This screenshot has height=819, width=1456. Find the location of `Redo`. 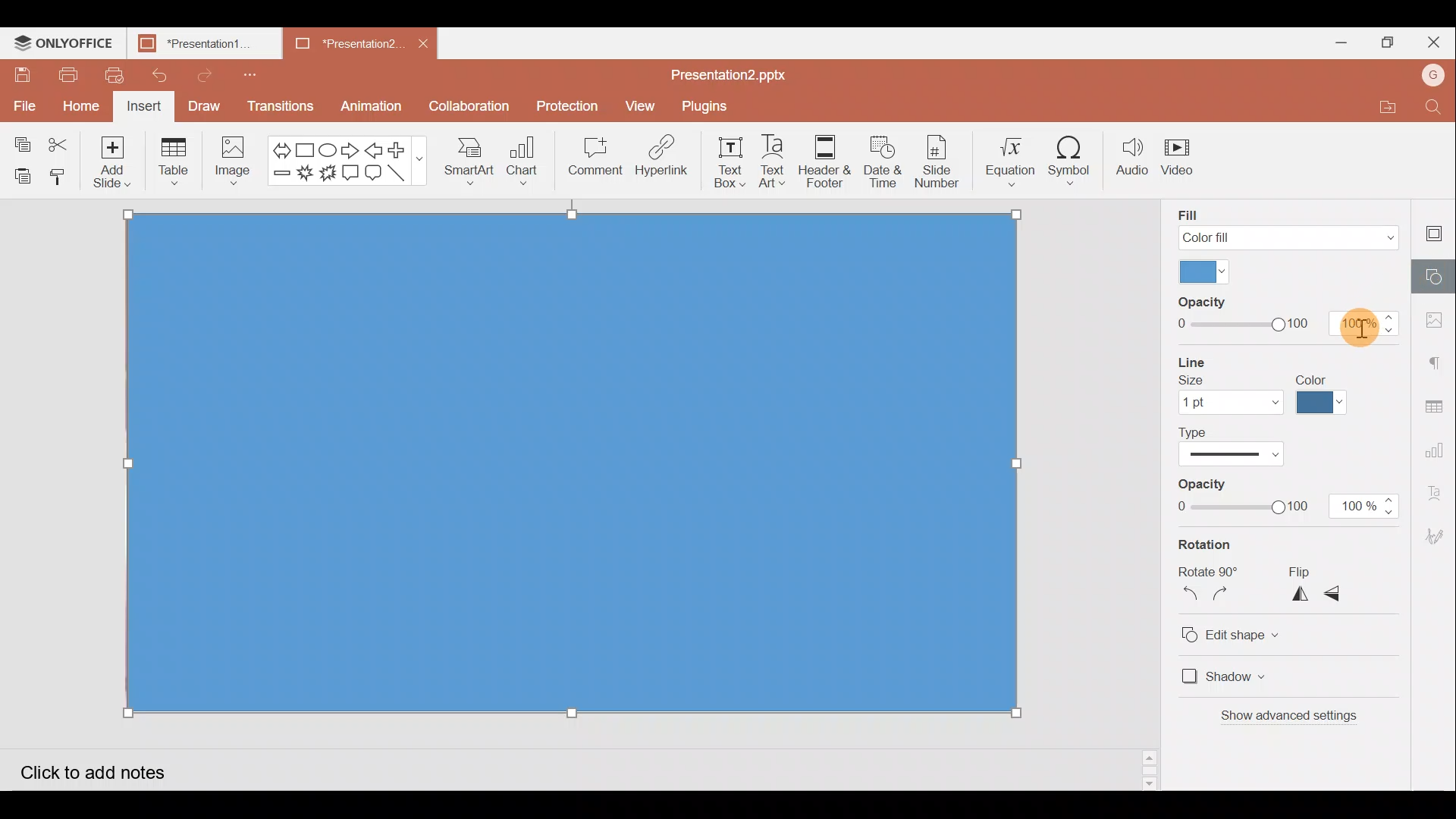

Redo is located at coordinates (208, 75).